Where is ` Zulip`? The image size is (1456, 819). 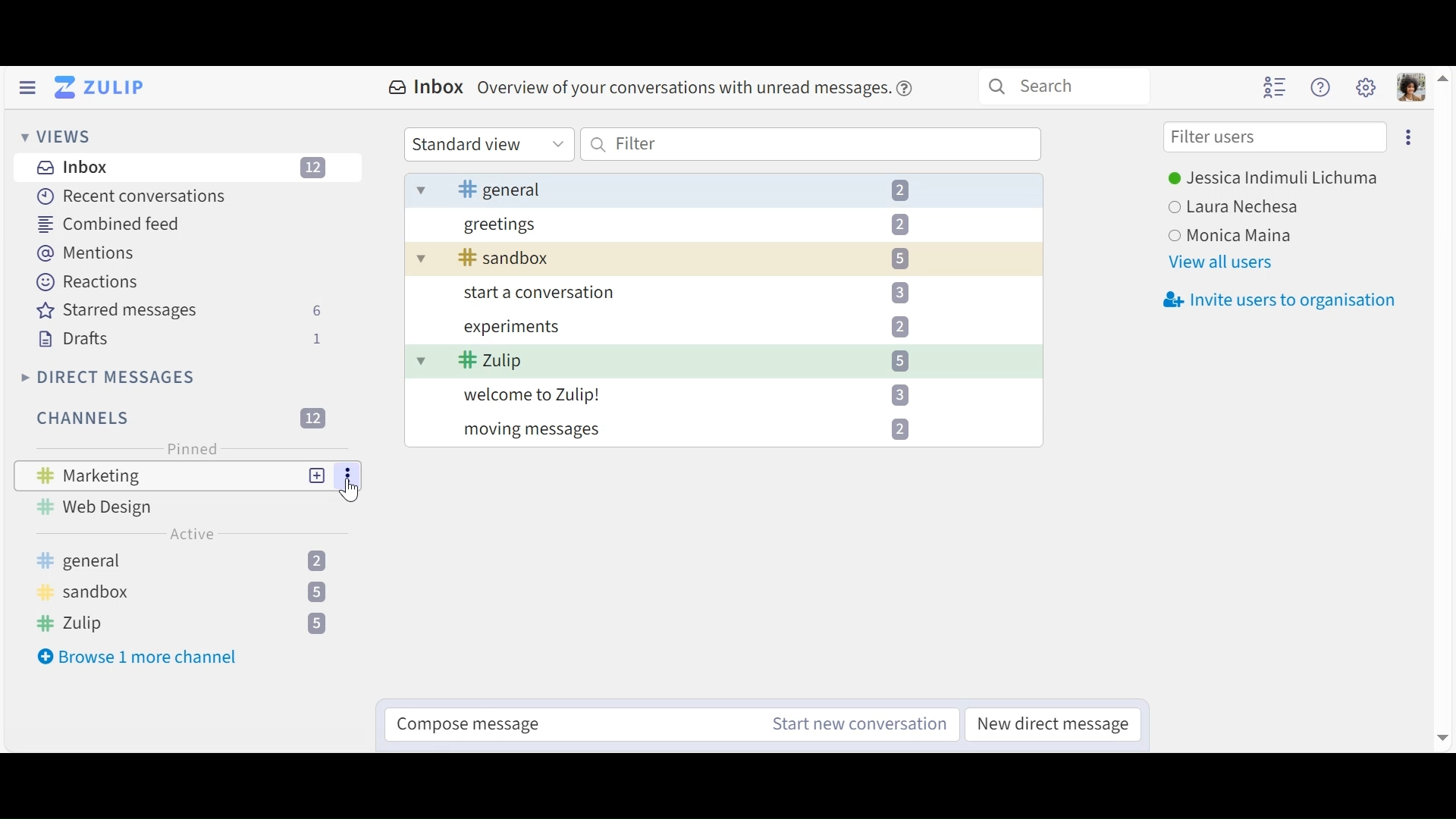  Zulip is located at coordinates (695, 362).